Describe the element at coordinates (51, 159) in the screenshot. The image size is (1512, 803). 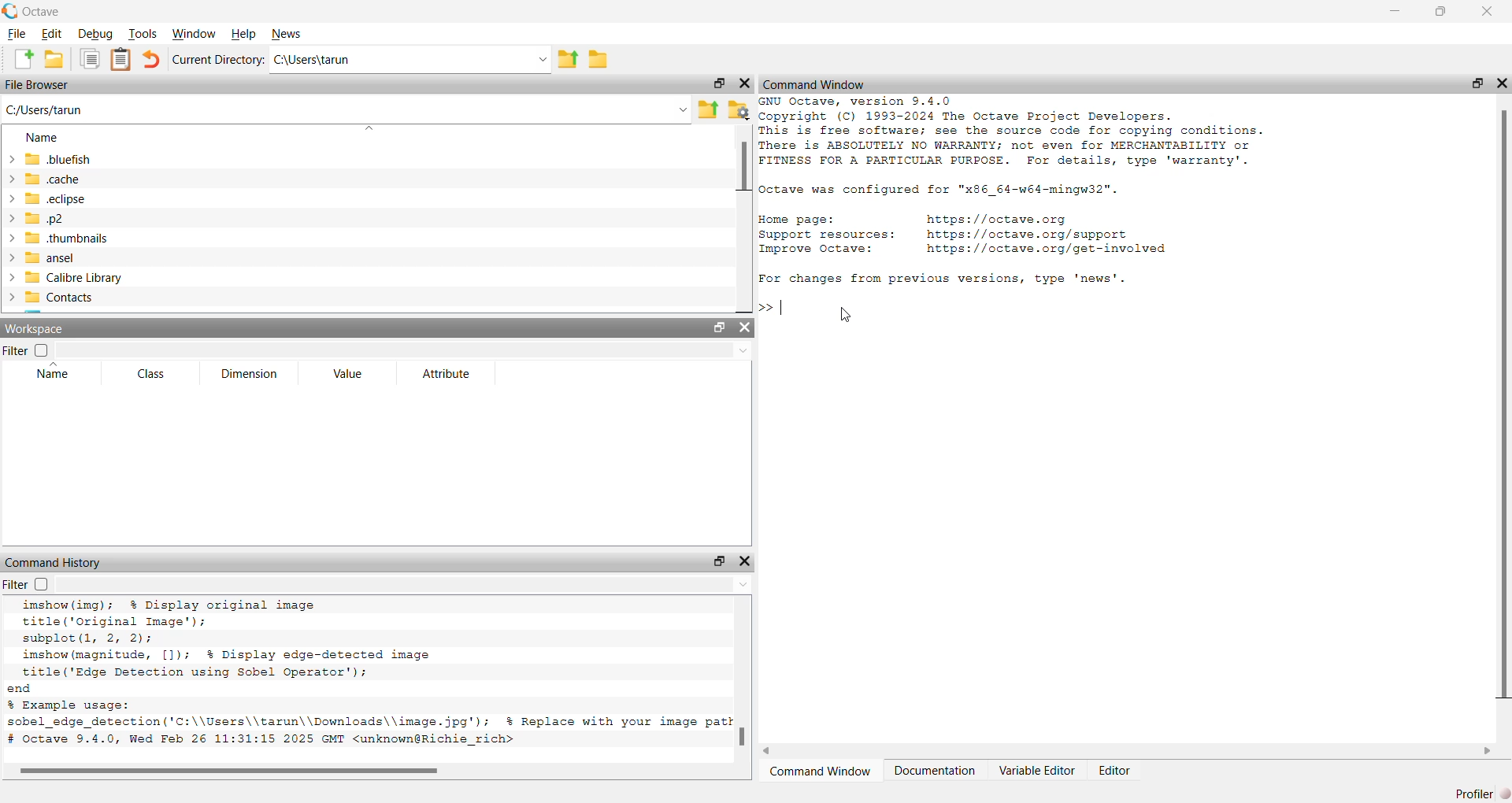
I see `bluefish` at that location.